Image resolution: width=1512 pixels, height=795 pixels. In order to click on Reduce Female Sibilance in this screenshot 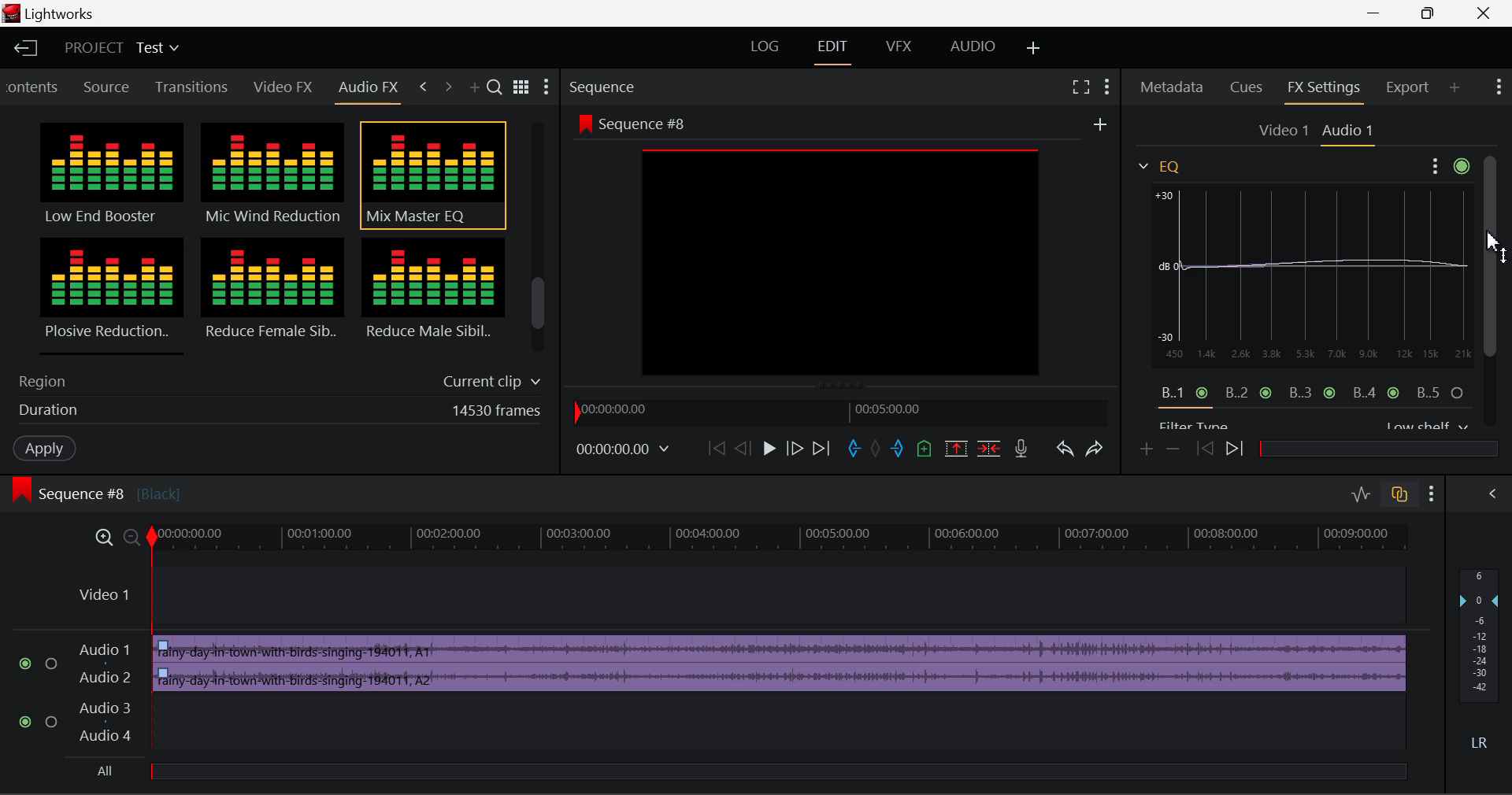, I will do `click(273, 296)`.